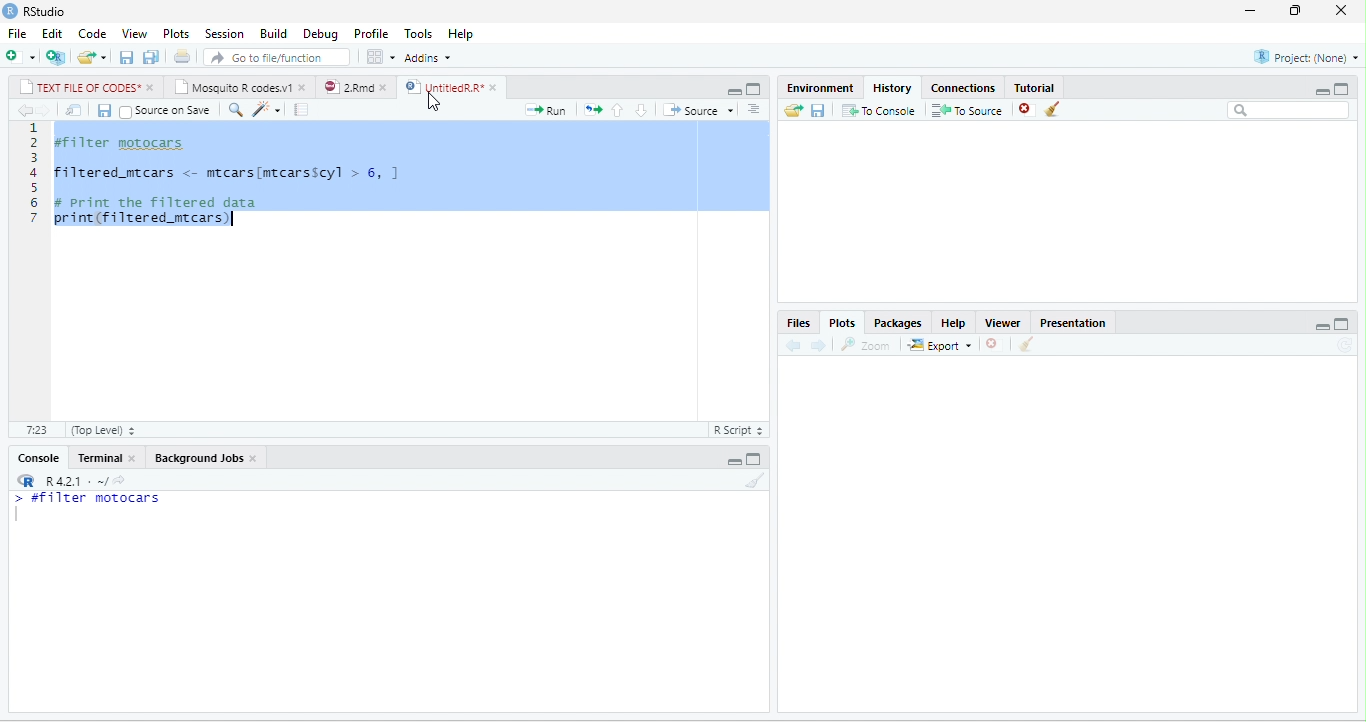 This screenshot has width=1366, height=722. I want to click on Plots, so click(843, 323).